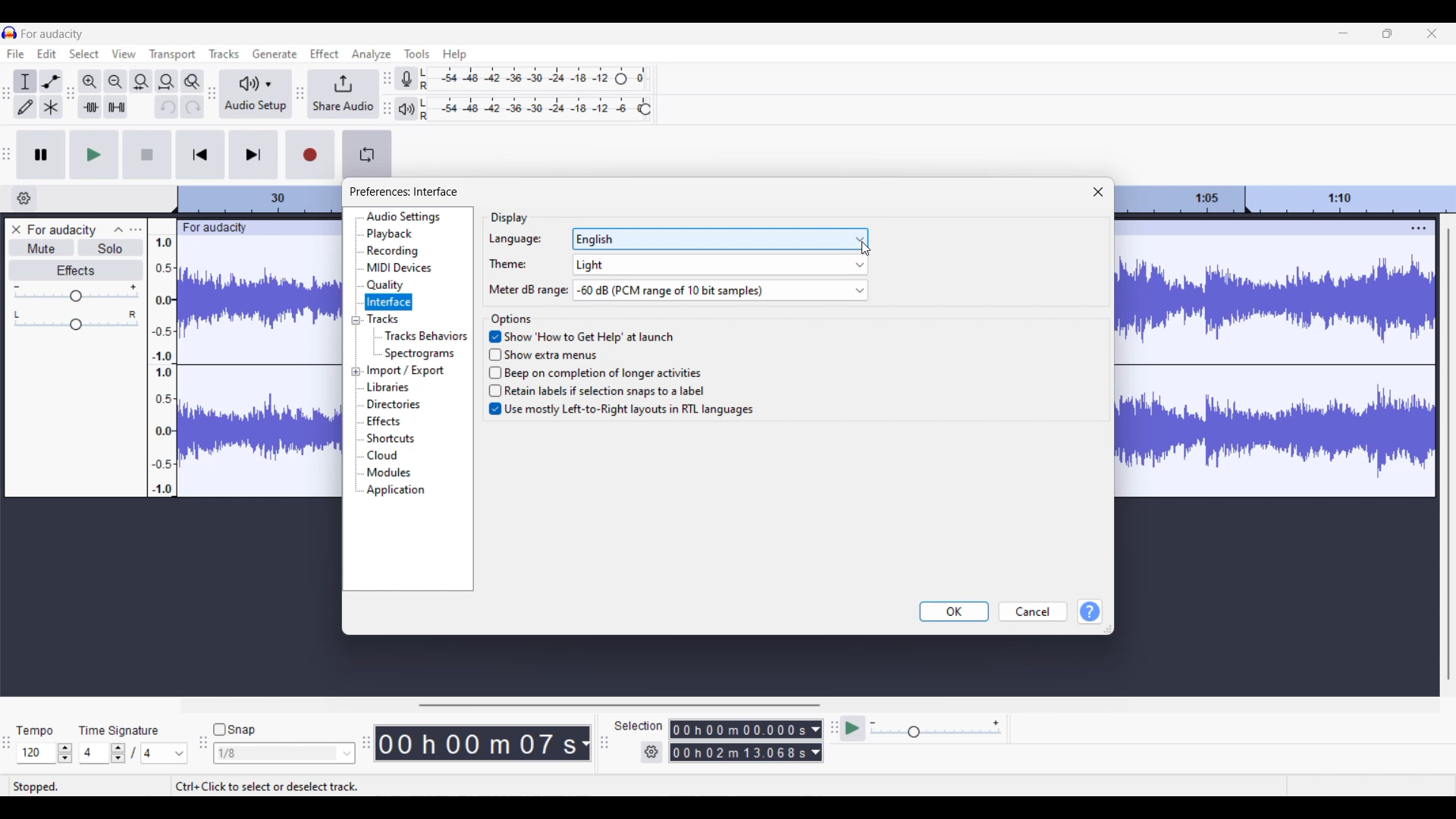 The width and height of the screenshot is (1456, 819). Describe the element at coordinates (38, 785) in the screenshot. I see `stopped` at that location.